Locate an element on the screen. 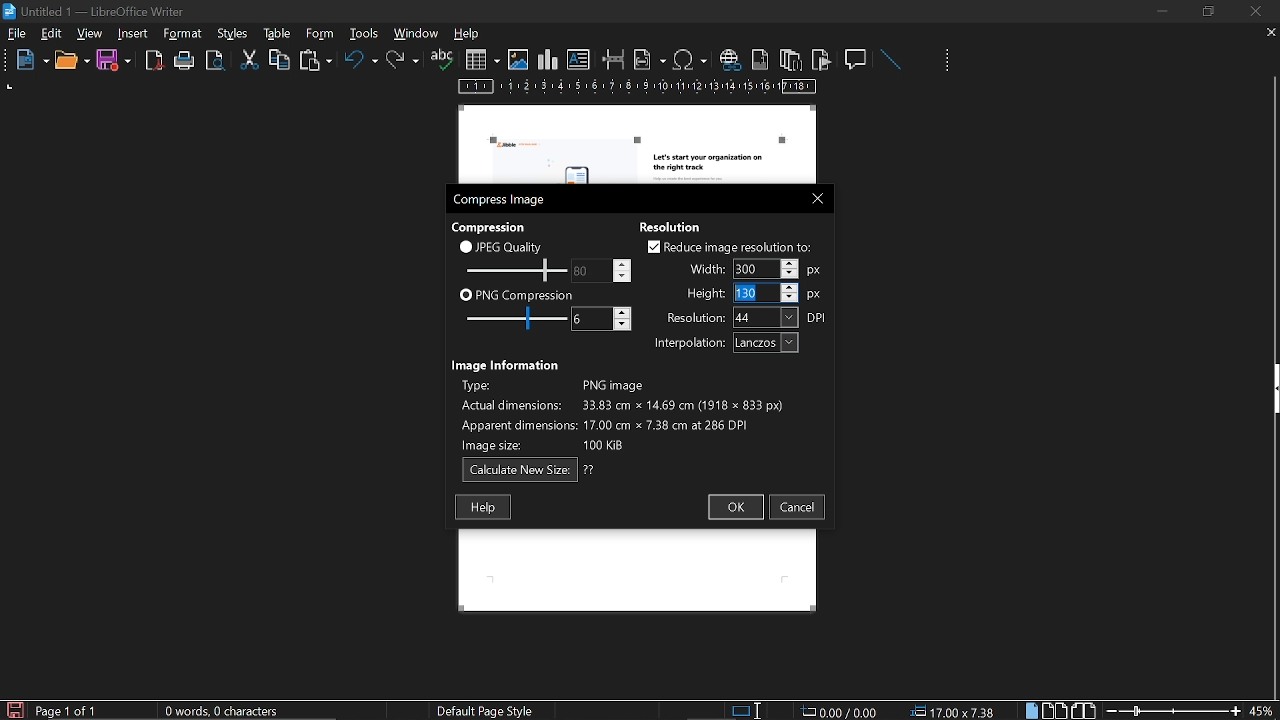 The image size is (1280, 720). Resolution is located at coordinates (677, 225).